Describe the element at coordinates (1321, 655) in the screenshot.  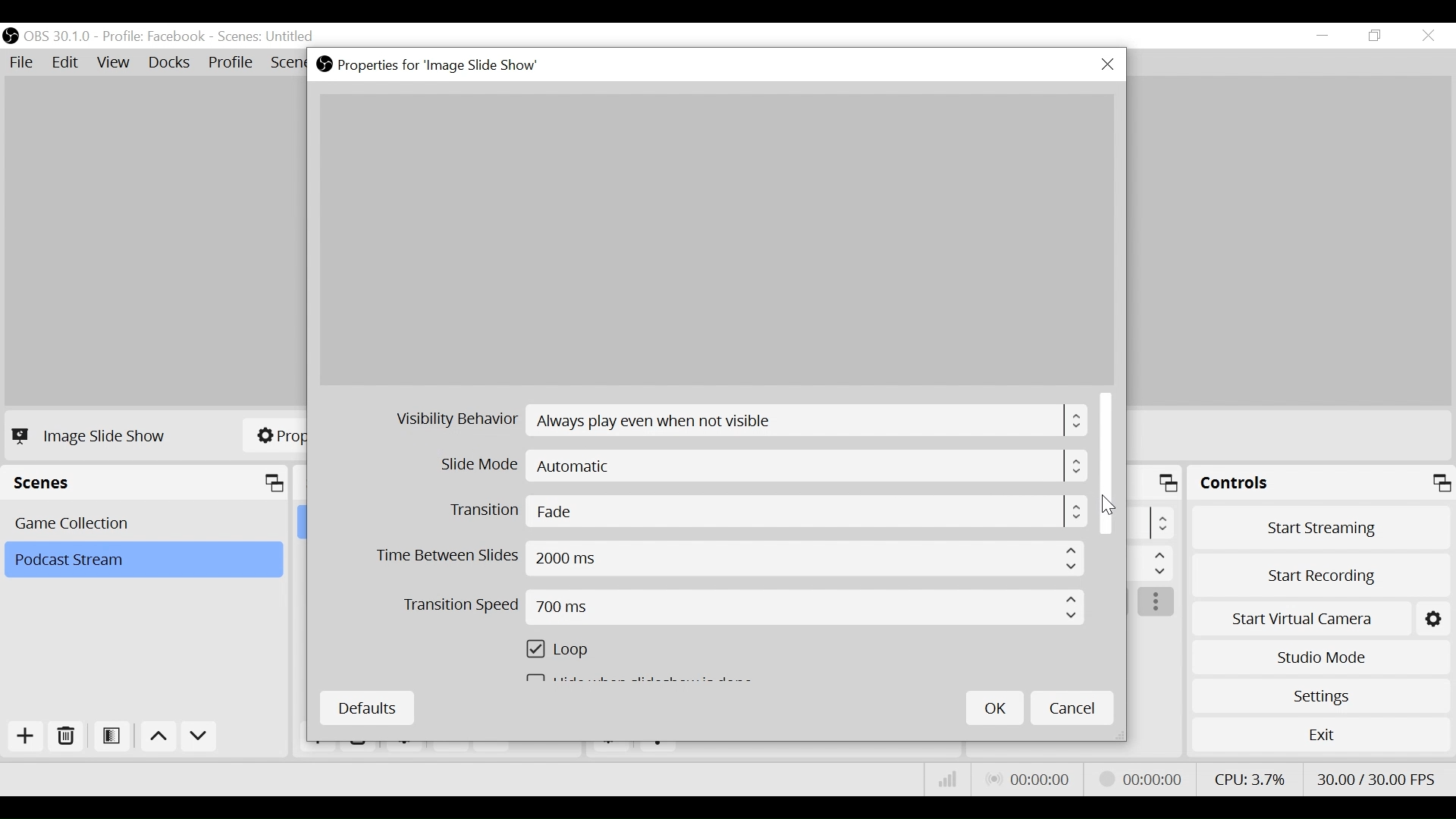
I see `Studio Mode` at that location.